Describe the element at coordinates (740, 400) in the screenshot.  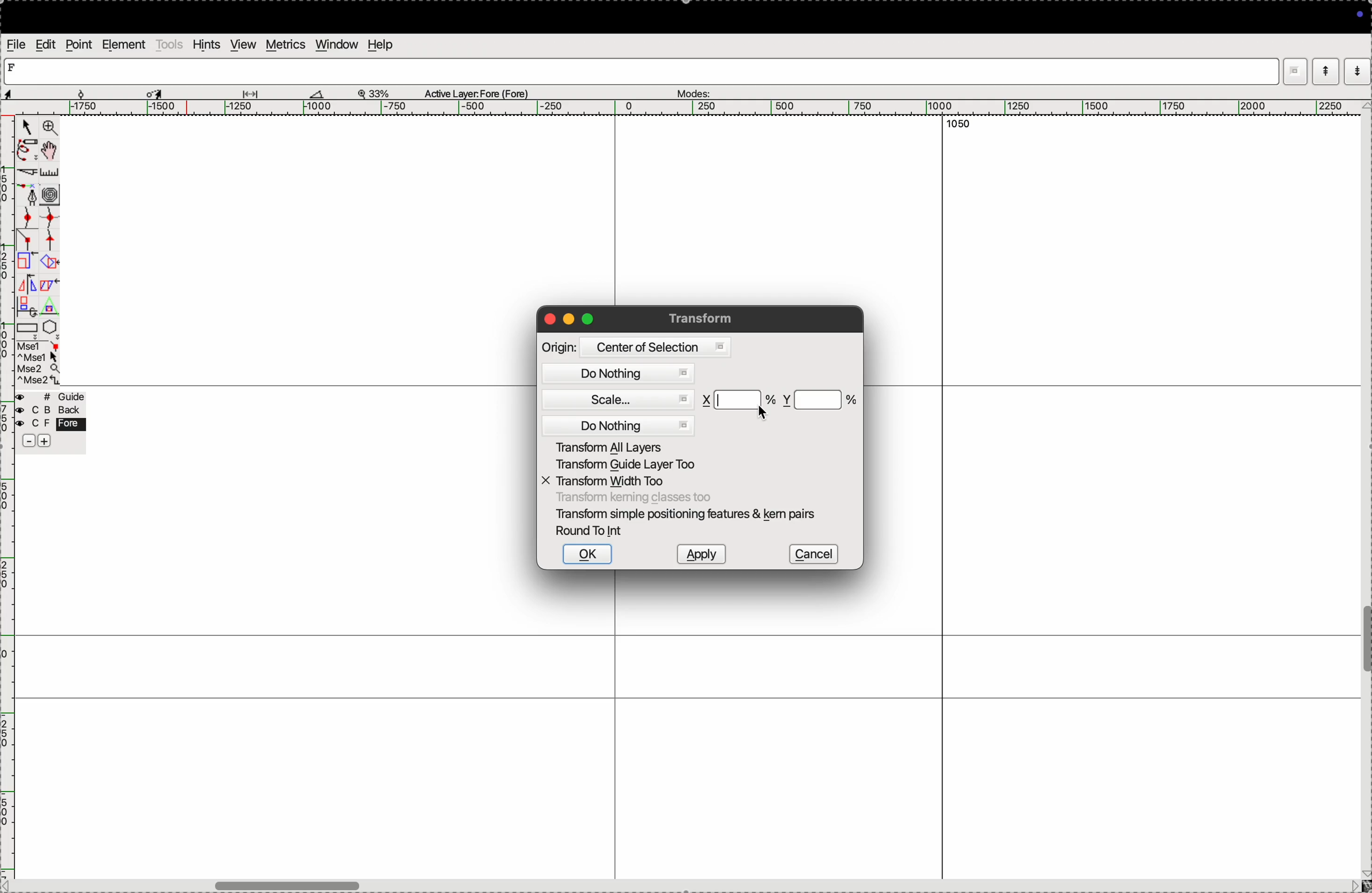
I see `text box for x scale %` at that location.